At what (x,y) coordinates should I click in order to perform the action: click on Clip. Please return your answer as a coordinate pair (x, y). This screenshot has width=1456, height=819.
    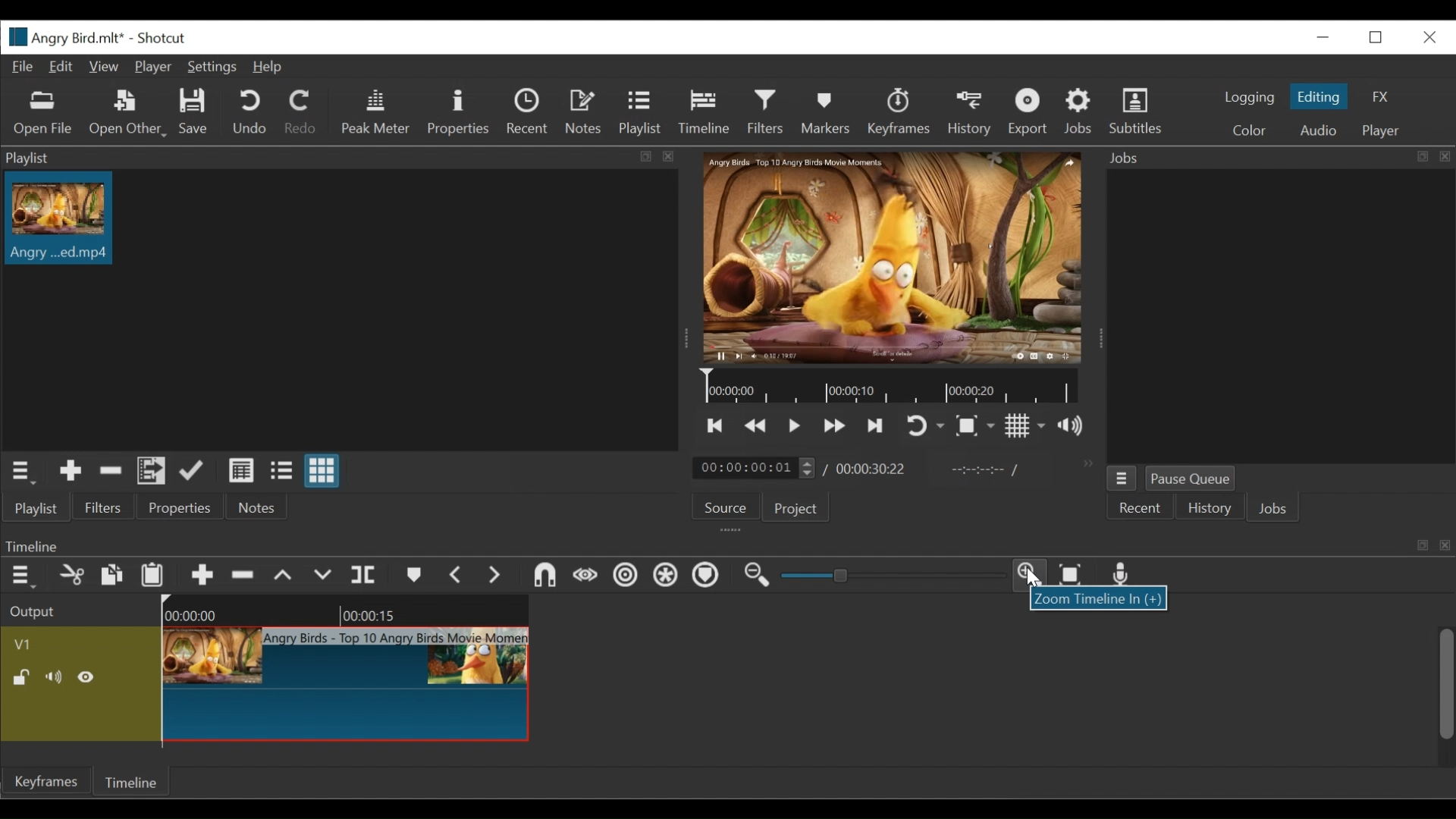
    Looking at the image, I should click on (58, 219).